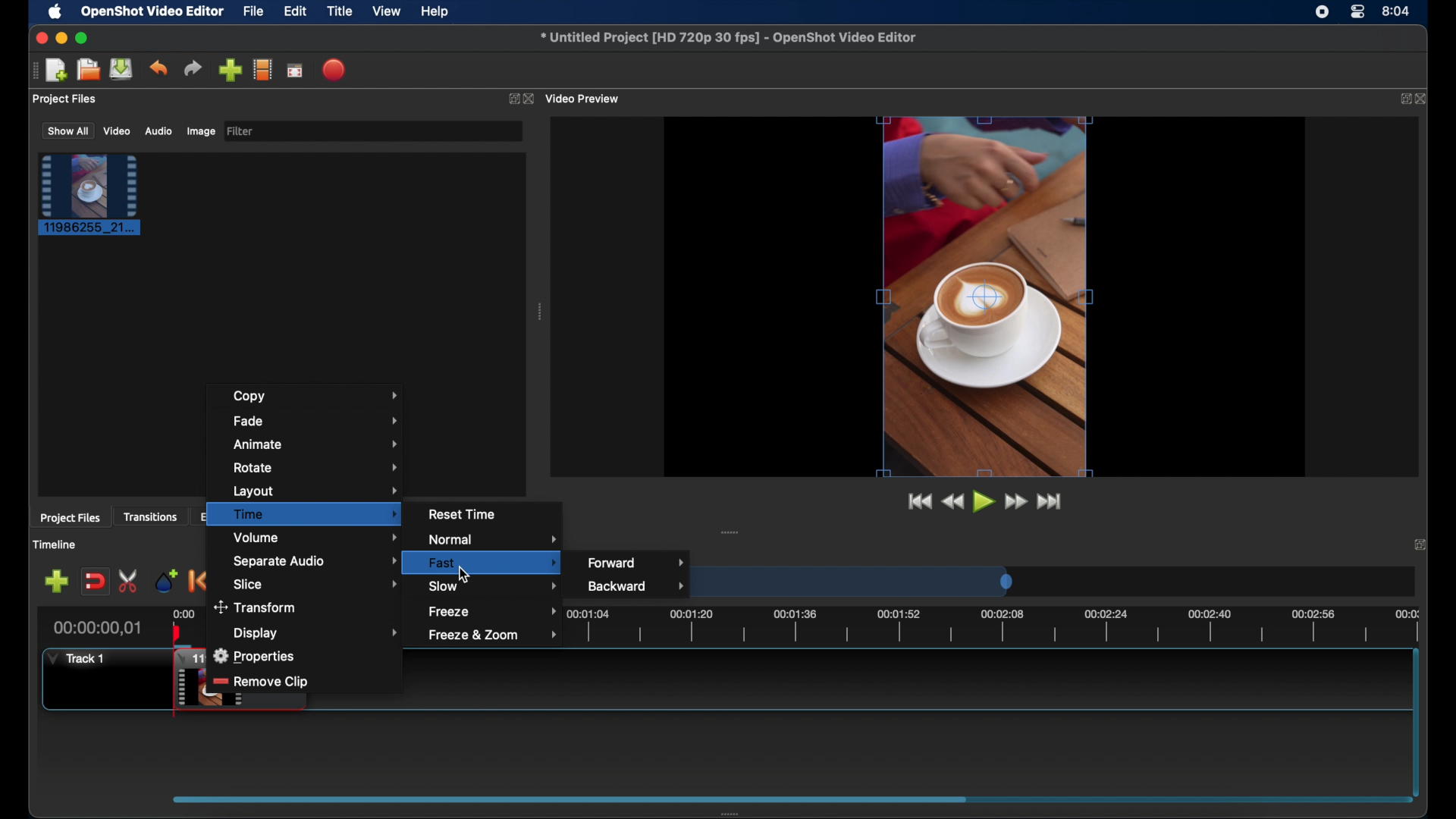 The width and height of the screenshot is (1456, 819). What do you see at coordinates (153, 12) in the screenshot?
I see `openshot video editor` at bounding box center [153, 12].